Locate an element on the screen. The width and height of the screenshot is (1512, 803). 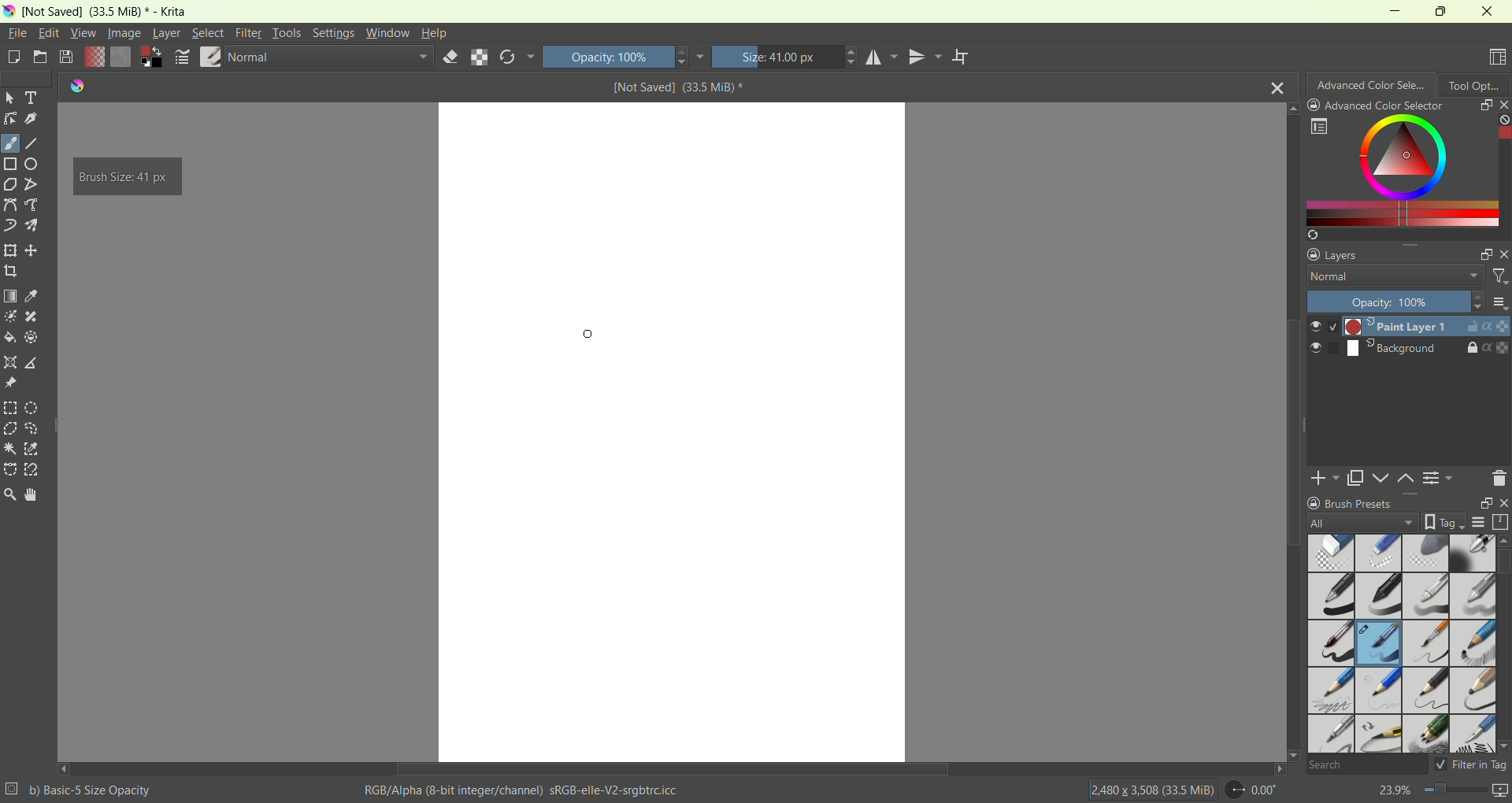
basic 5 is located at coordinates (1332, 643).